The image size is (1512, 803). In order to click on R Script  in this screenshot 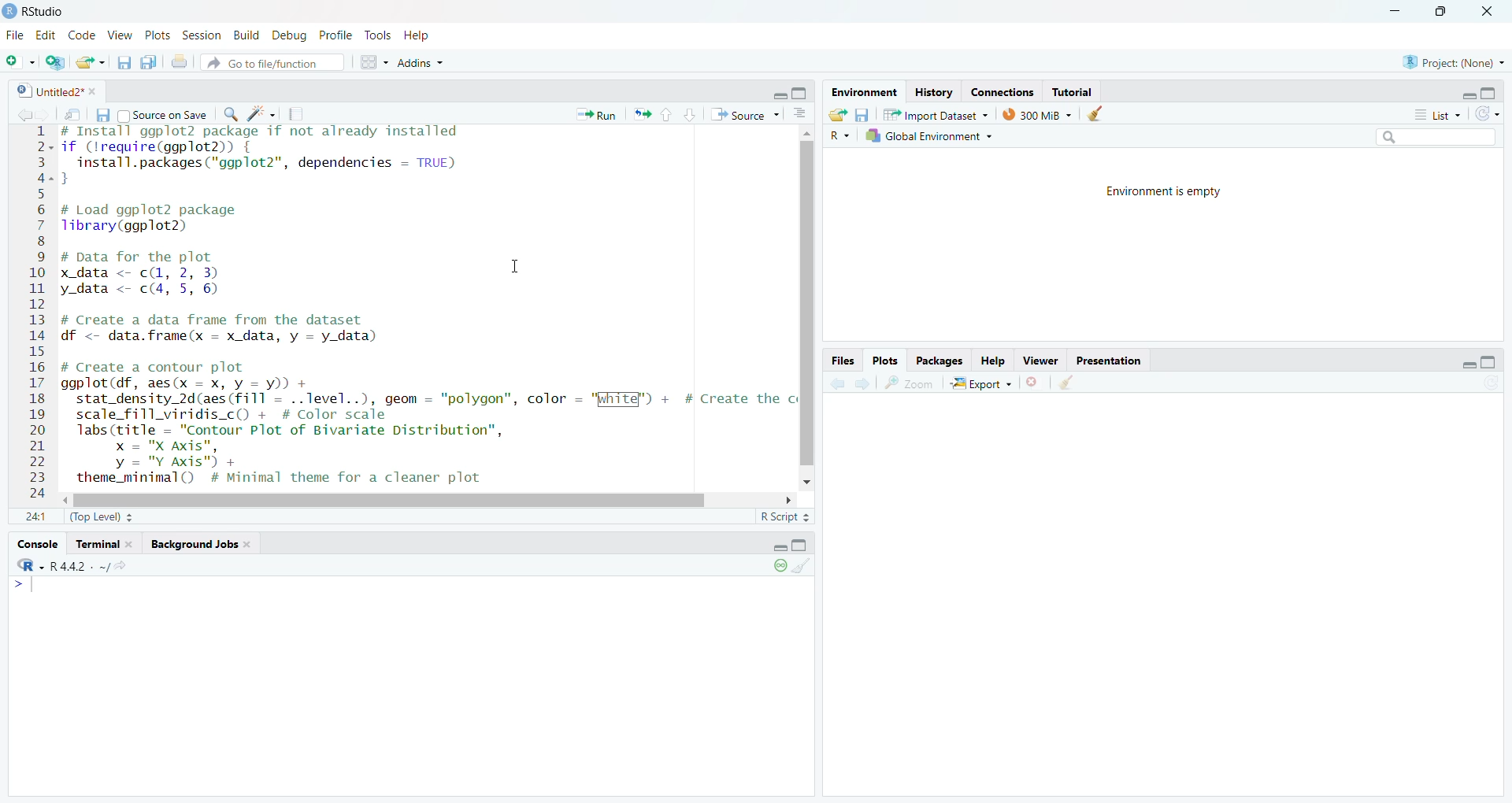, I will do `click(778, 516)`.